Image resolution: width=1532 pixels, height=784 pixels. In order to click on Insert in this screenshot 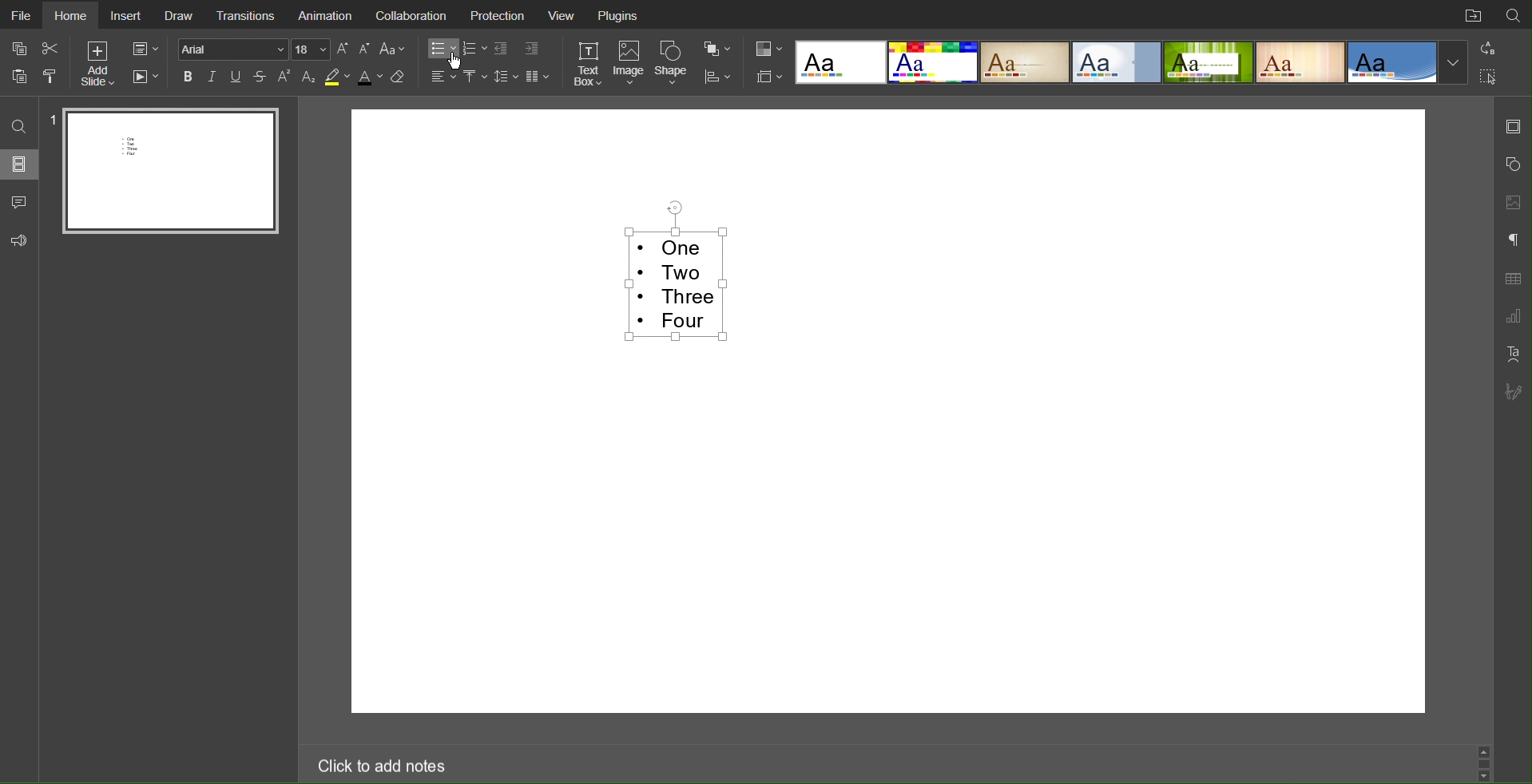, I will do `click(127, 15)`.